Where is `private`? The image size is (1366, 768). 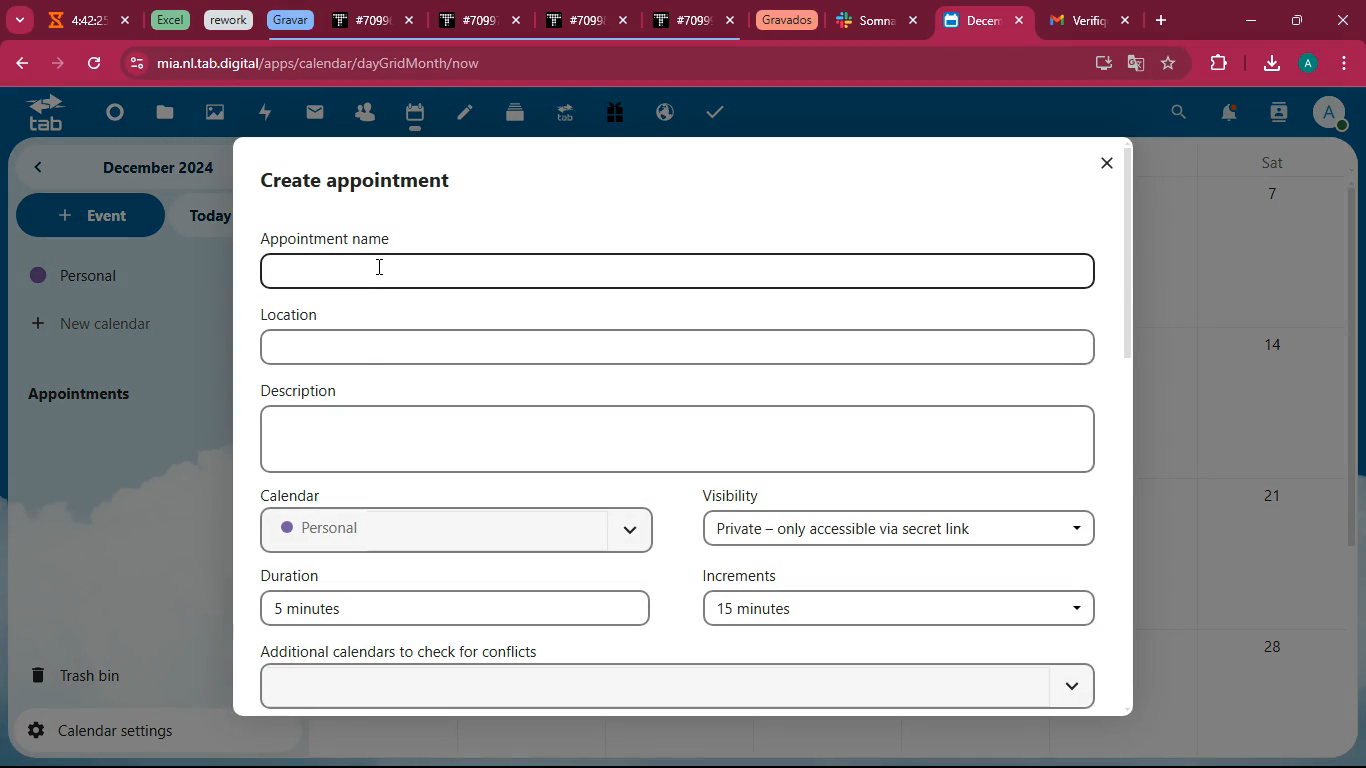
private is located at coordinates (901, 529).